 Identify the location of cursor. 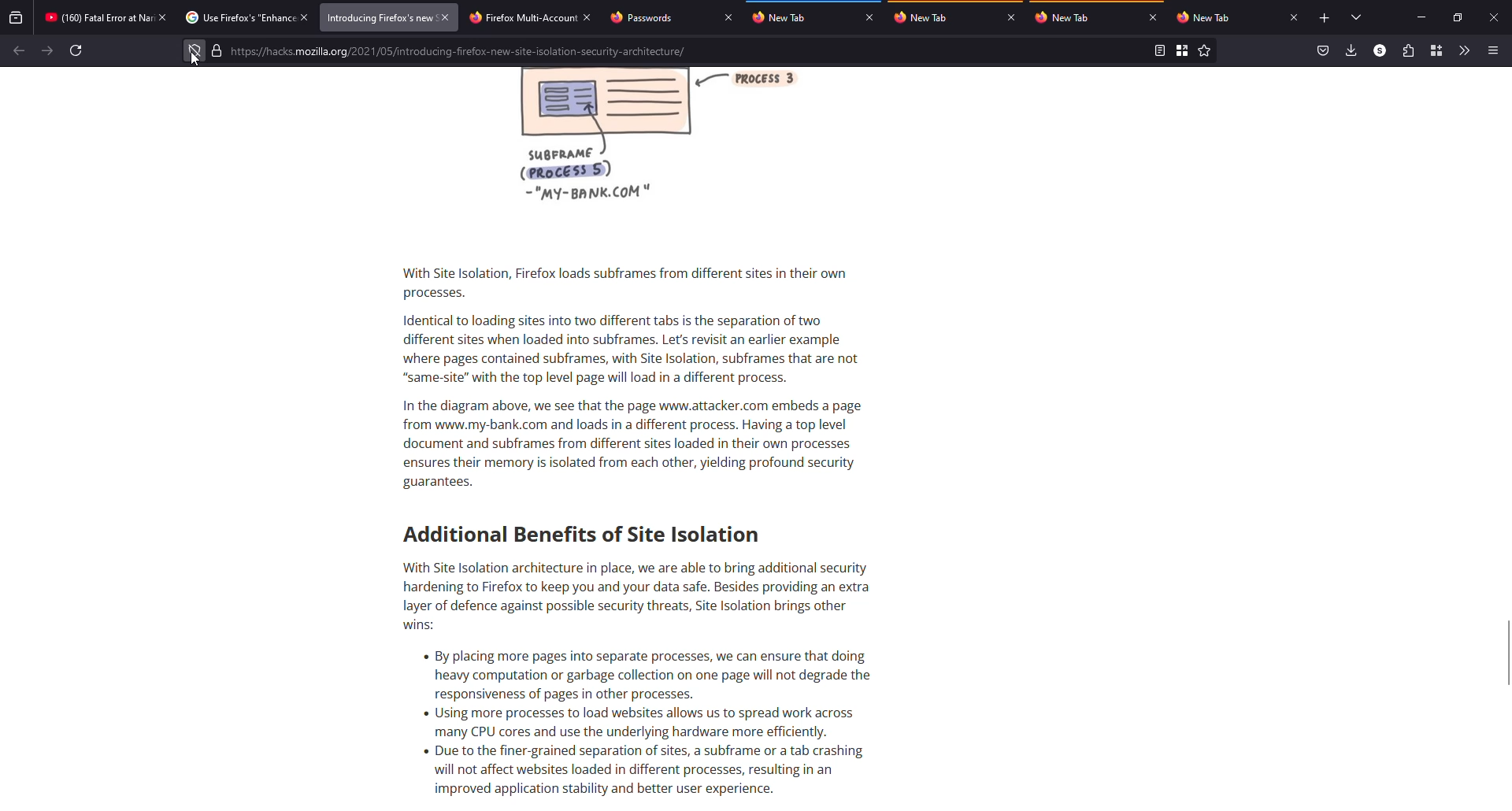
(195, 59).